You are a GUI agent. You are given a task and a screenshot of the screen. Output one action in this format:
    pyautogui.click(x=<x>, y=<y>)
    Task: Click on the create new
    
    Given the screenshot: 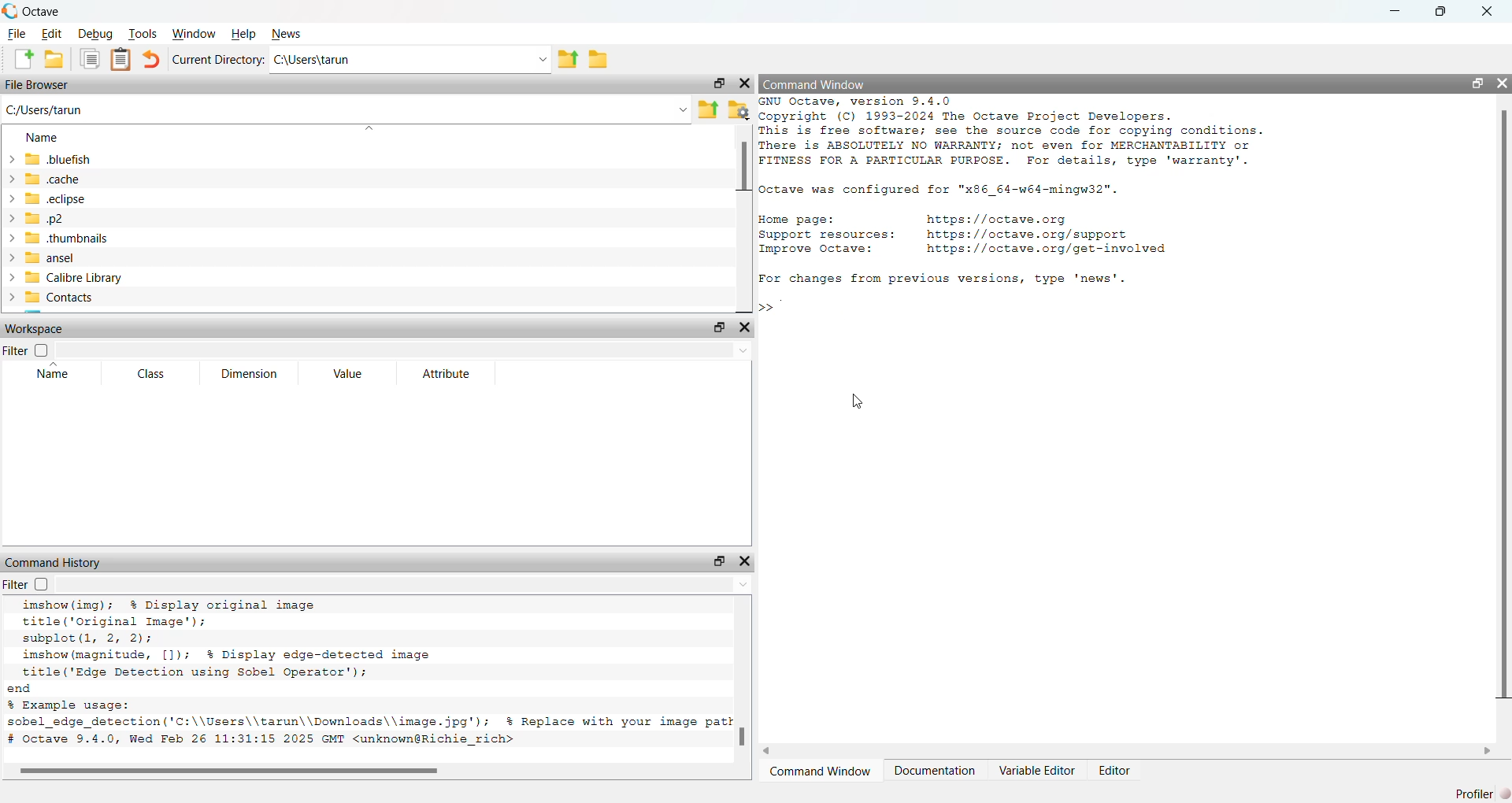 What is the action you would take?
    pyautogui.click(x=23, y=59)
    